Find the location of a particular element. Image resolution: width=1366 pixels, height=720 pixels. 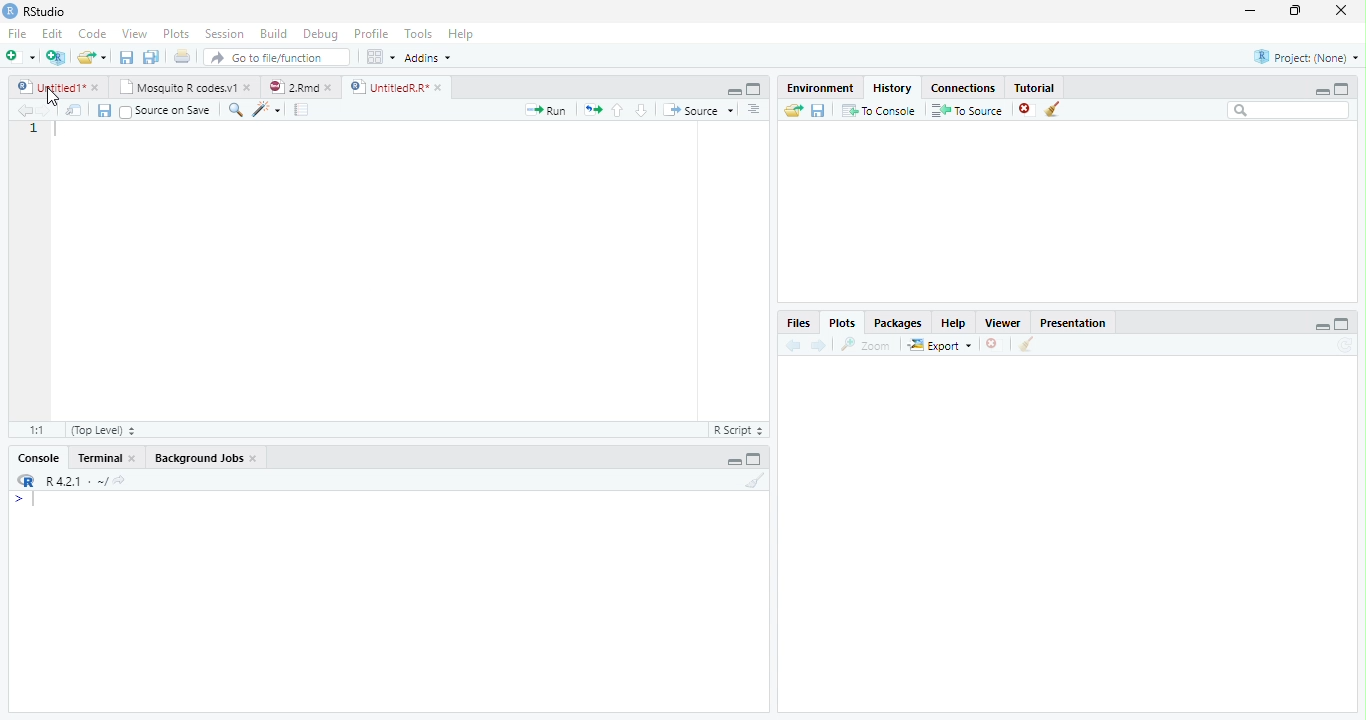

Plots is located at coordinates (841, 322).